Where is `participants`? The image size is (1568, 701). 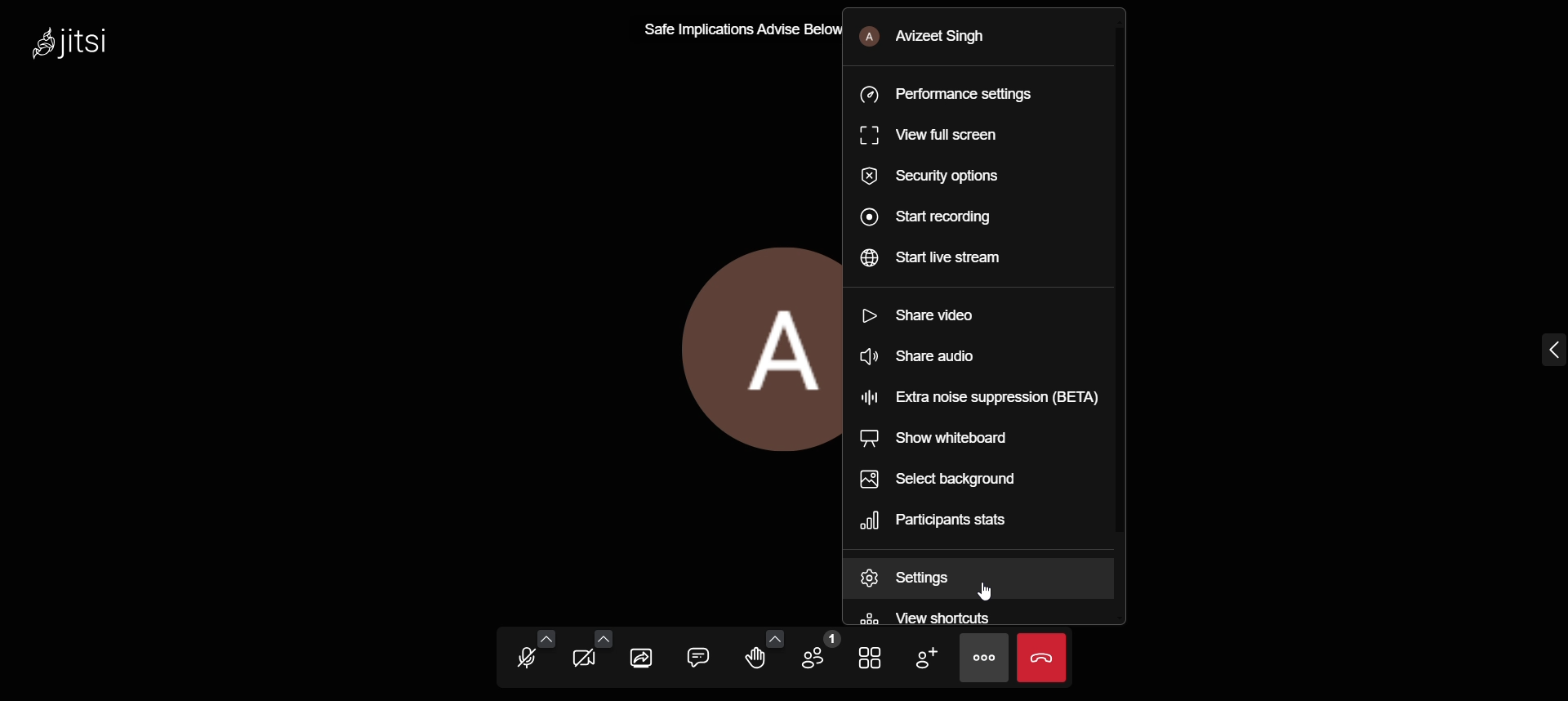
participants is located at coordinates (820, 651).